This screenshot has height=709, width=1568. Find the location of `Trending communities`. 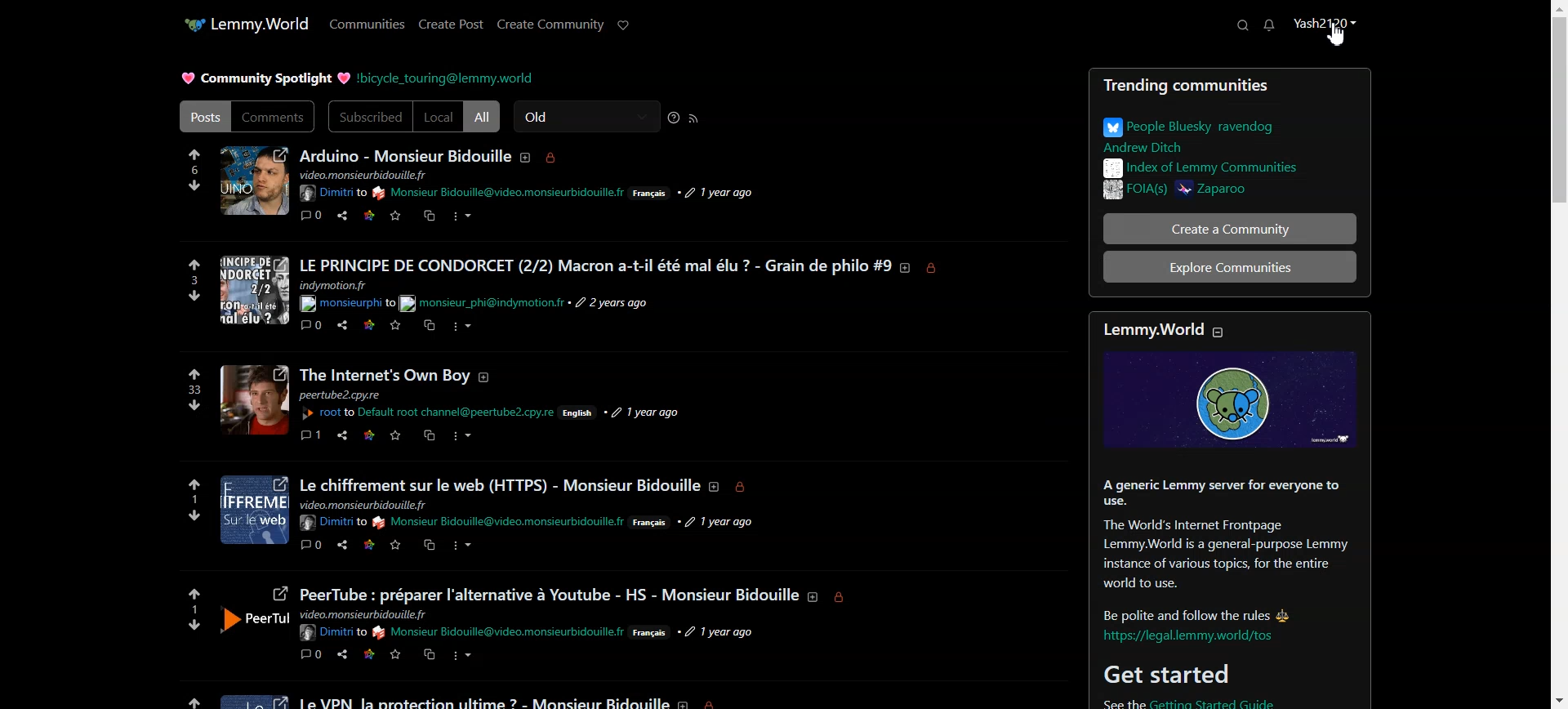

Trending communities is located at coordinates (1231, 87).